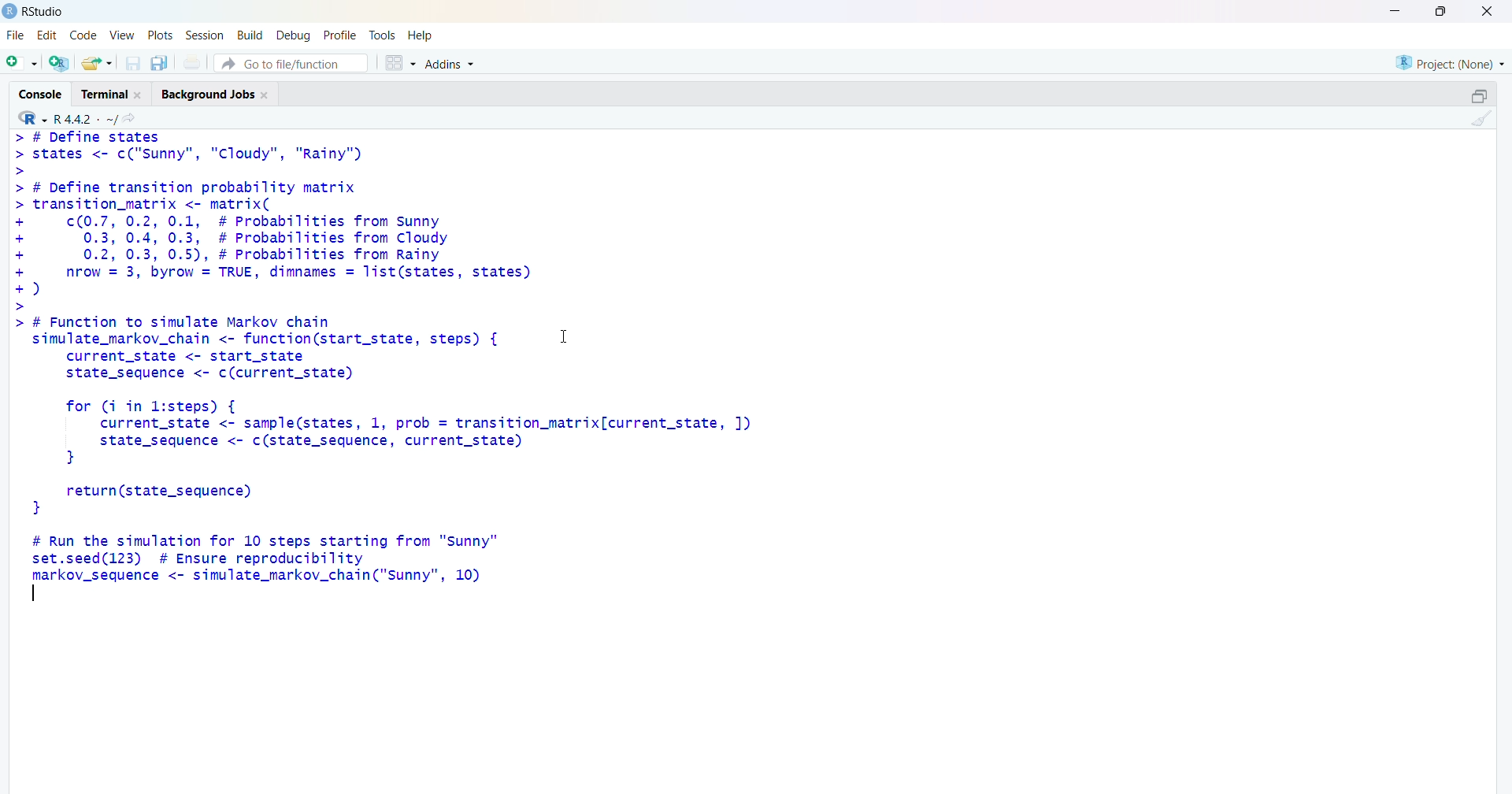 The height and width of the screenshot is (794, 1512). What do you see at coordinates (39, 93) in the screenshot?
I see `console` at bounding box center [39, 93].